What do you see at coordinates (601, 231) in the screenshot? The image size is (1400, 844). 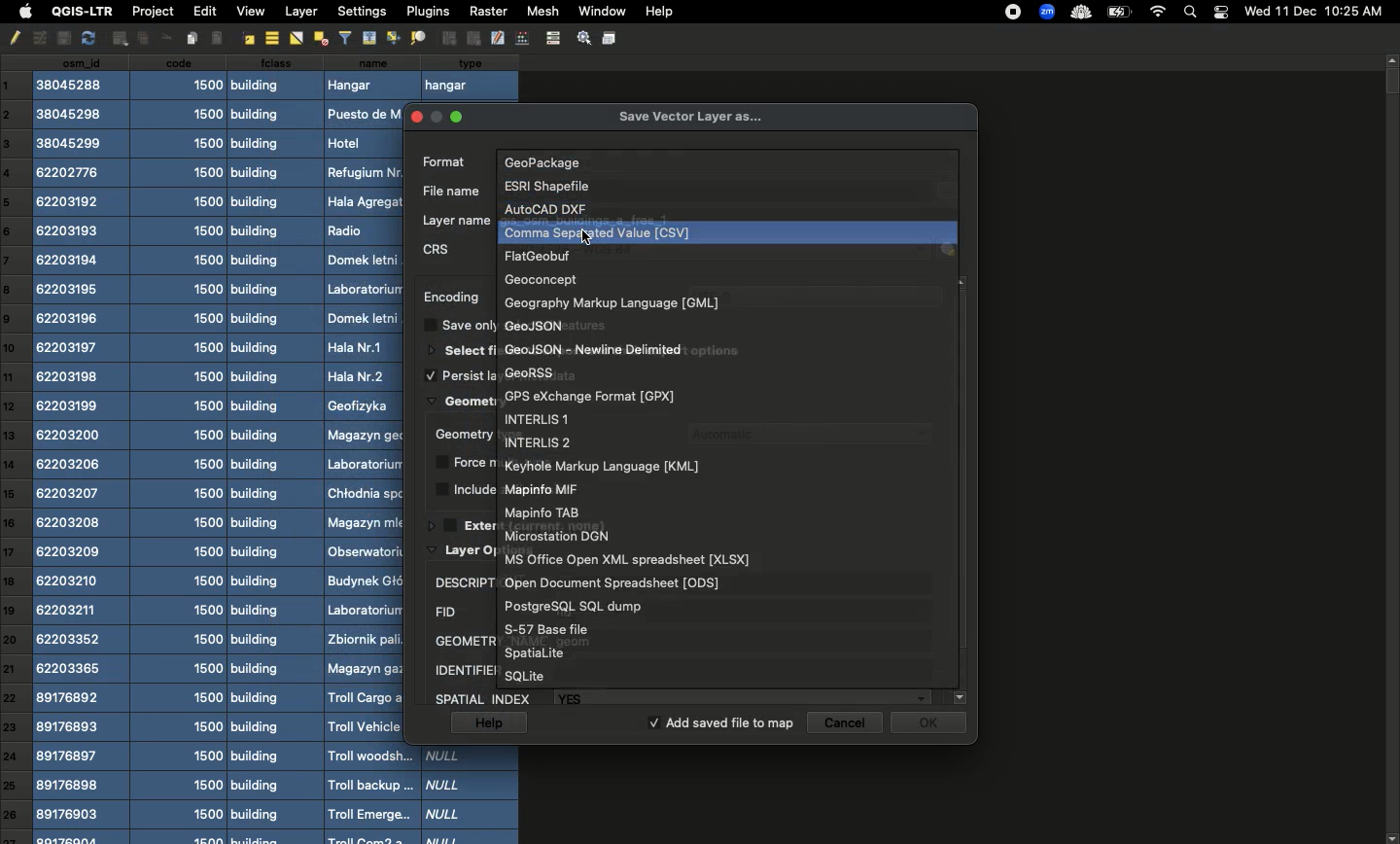 I see `Format` at bounding box center [601, 231].